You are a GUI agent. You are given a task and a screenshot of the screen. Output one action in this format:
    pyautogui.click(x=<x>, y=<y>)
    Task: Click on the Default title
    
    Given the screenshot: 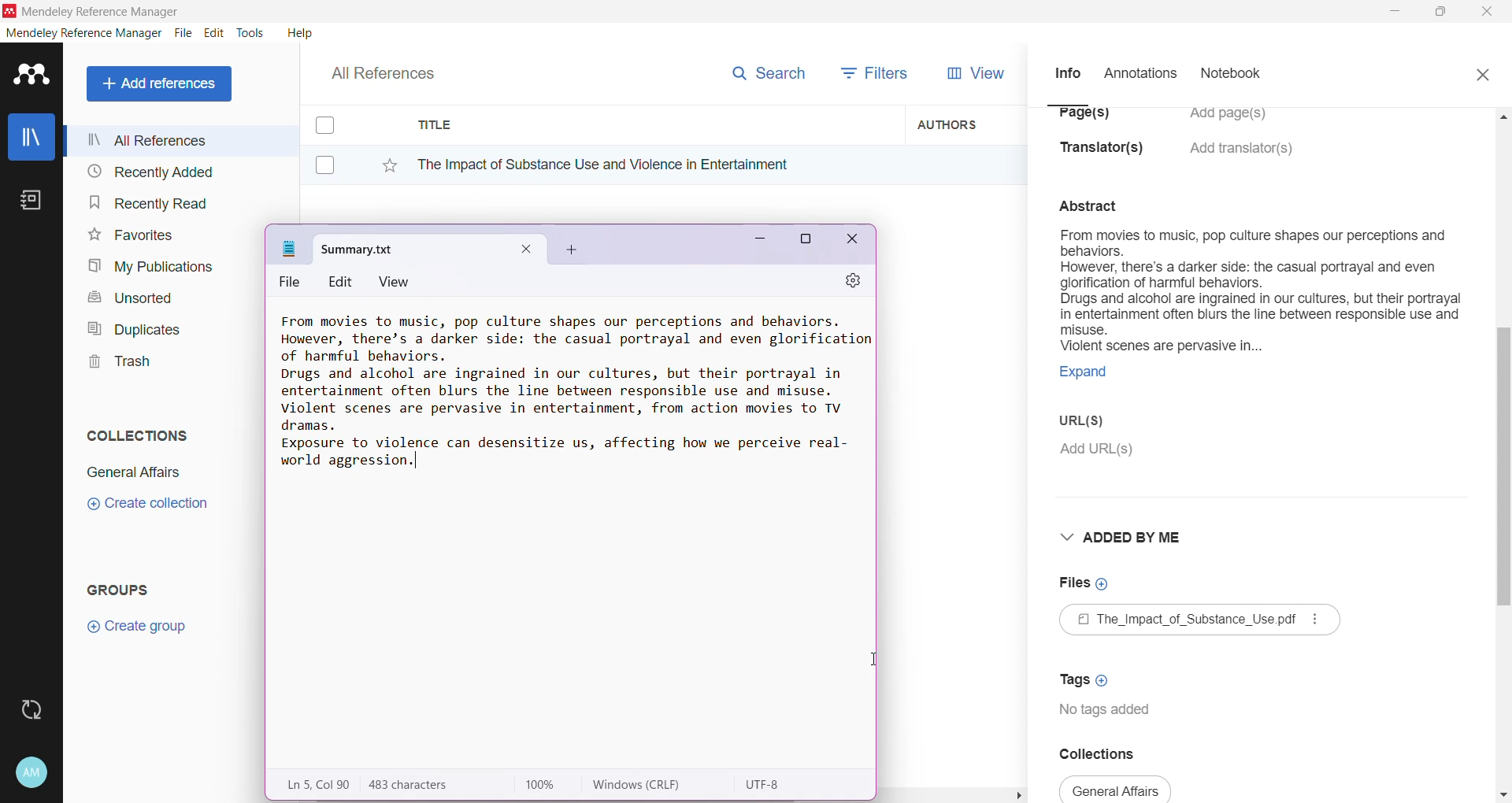 What is the action you would take?
    pyautogui.click(x=430, y=246)
    